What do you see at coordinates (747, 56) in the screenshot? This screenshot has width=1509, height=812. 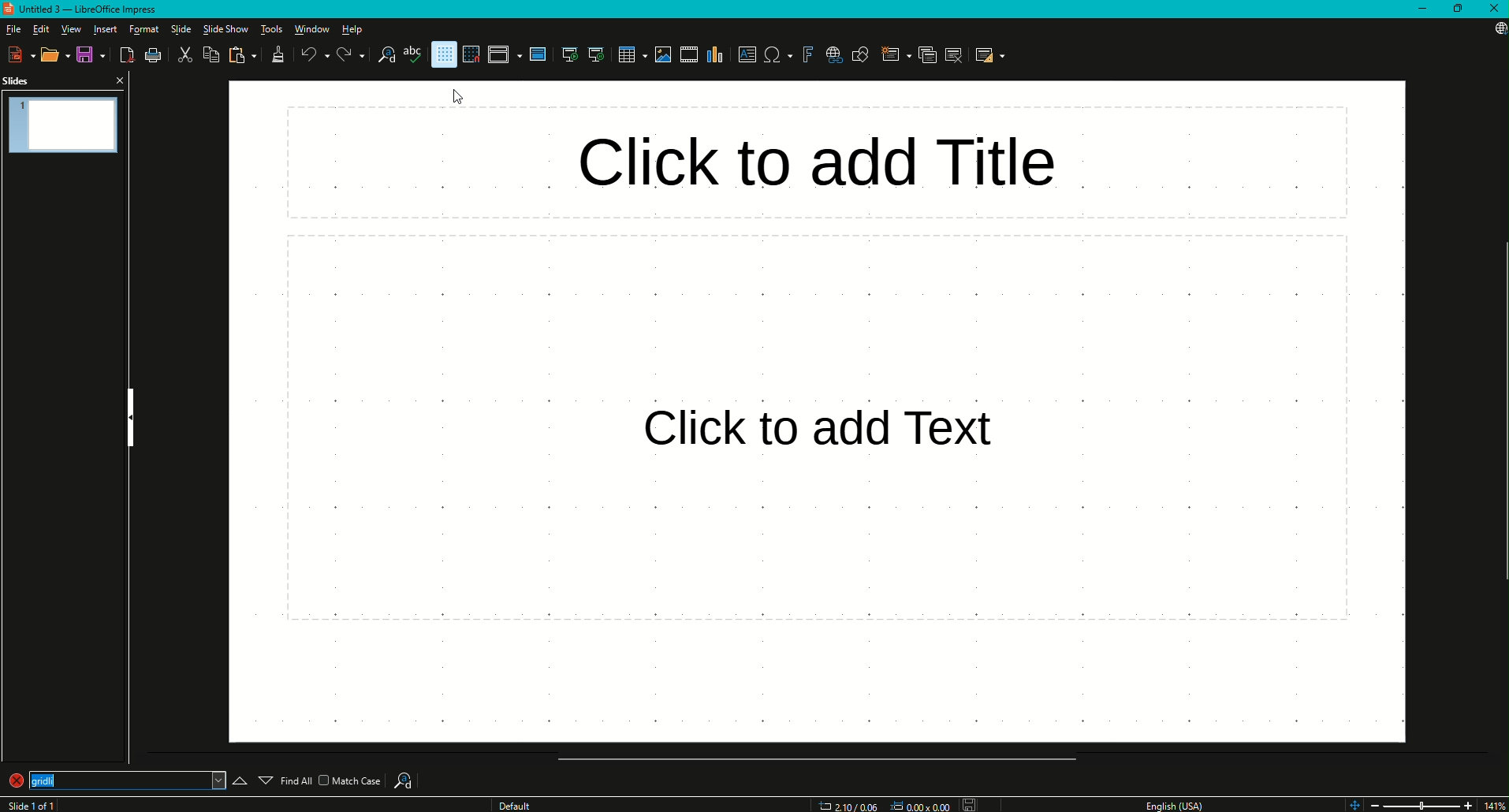 I see `Insert textbox` at bounding box center [747, 56].